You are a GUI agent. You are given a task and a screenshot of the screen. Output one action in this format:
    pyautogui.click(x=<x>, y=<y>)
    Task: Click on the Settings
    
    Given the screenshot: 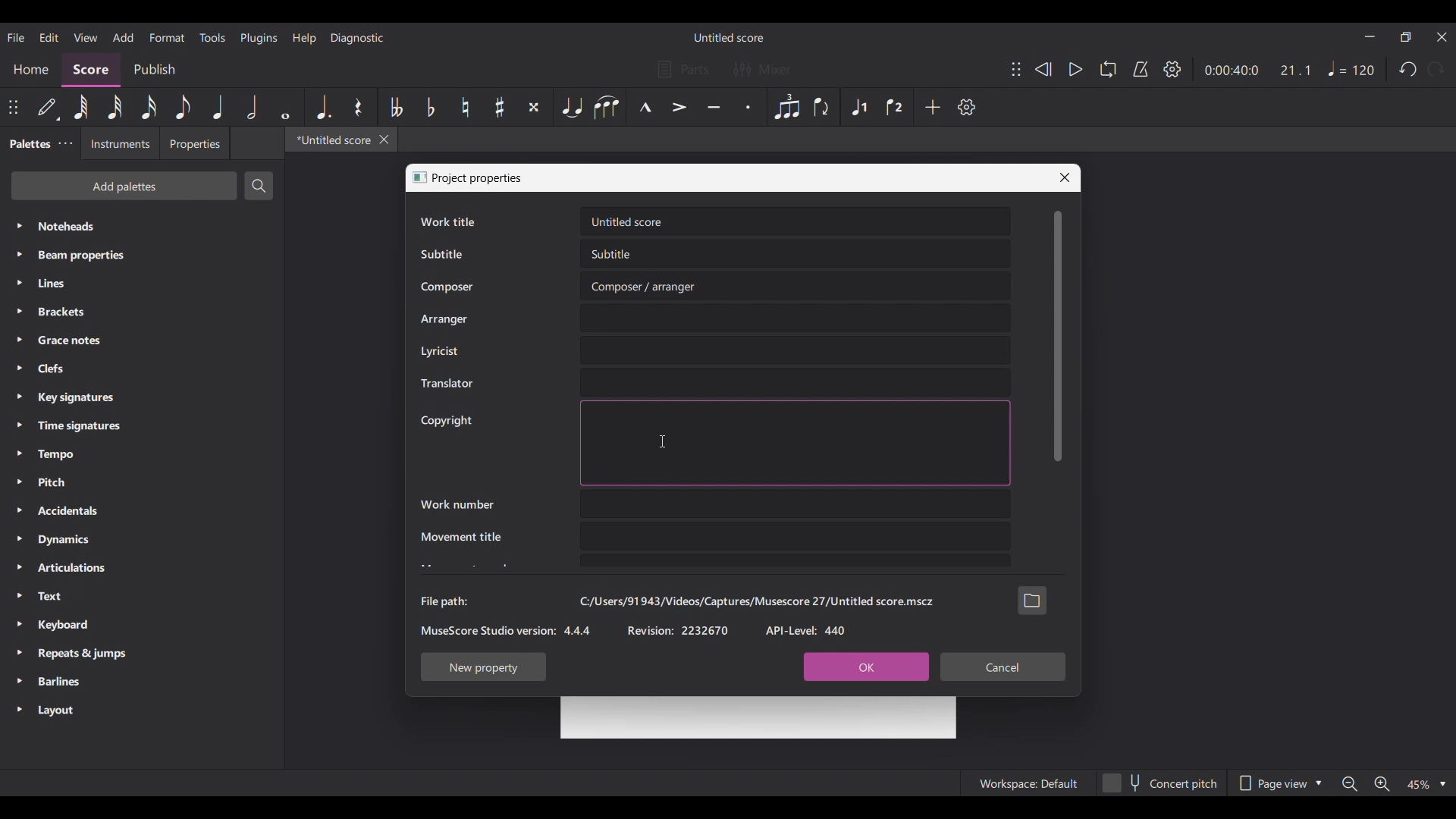 What is the action you would take?
    pyautogui.click(x=966, y=107)
    